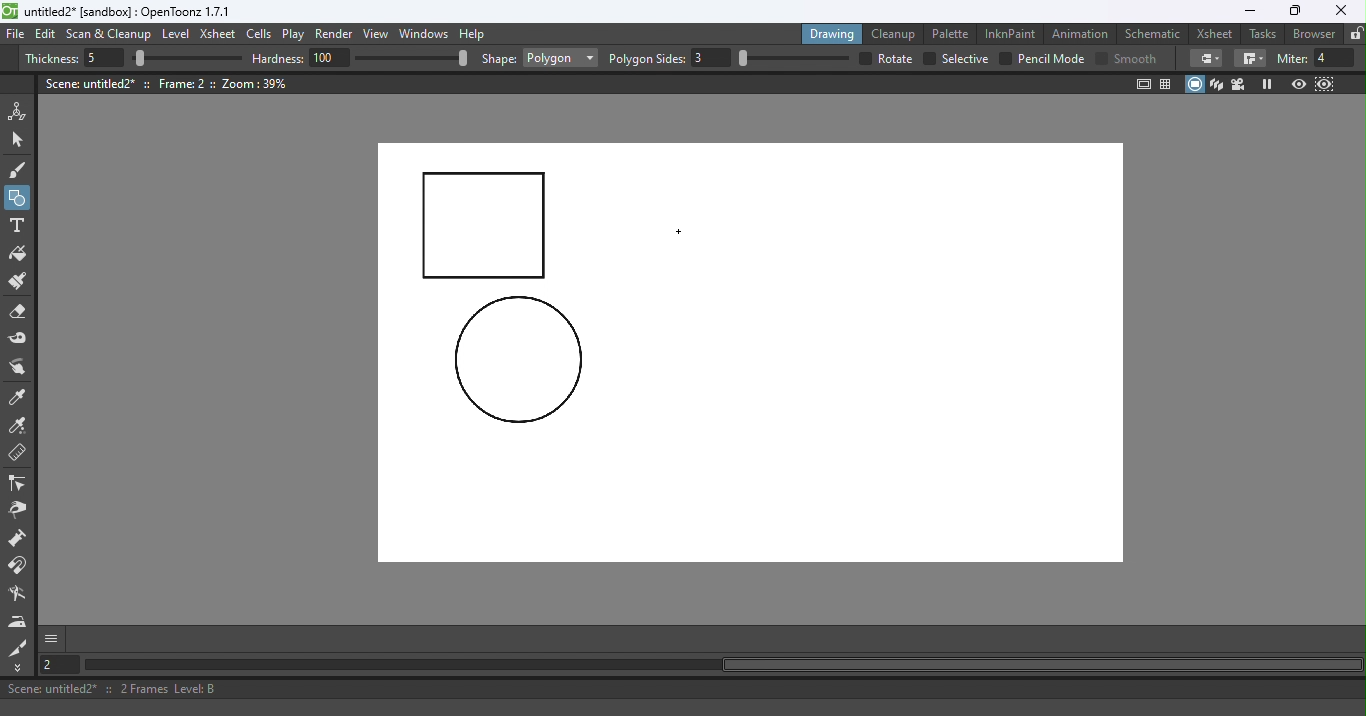 The height and width of the screenshot is (716, 1366). I want to click on checkbox, so click(863, 58).